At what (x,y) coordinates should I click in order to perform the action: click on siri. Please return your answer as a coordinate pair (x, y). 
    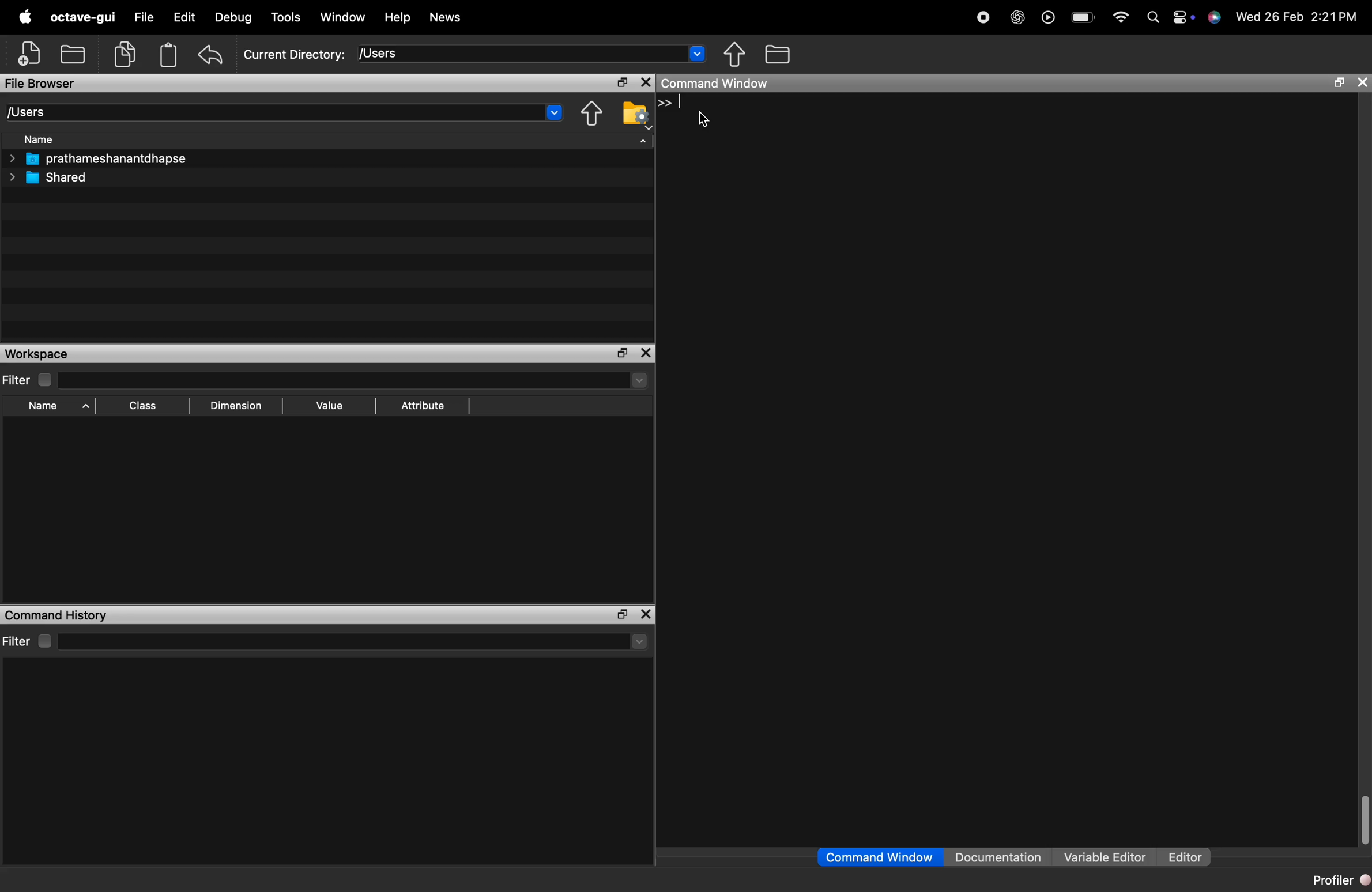
    Looking at the image, I should click on (1216, 14).